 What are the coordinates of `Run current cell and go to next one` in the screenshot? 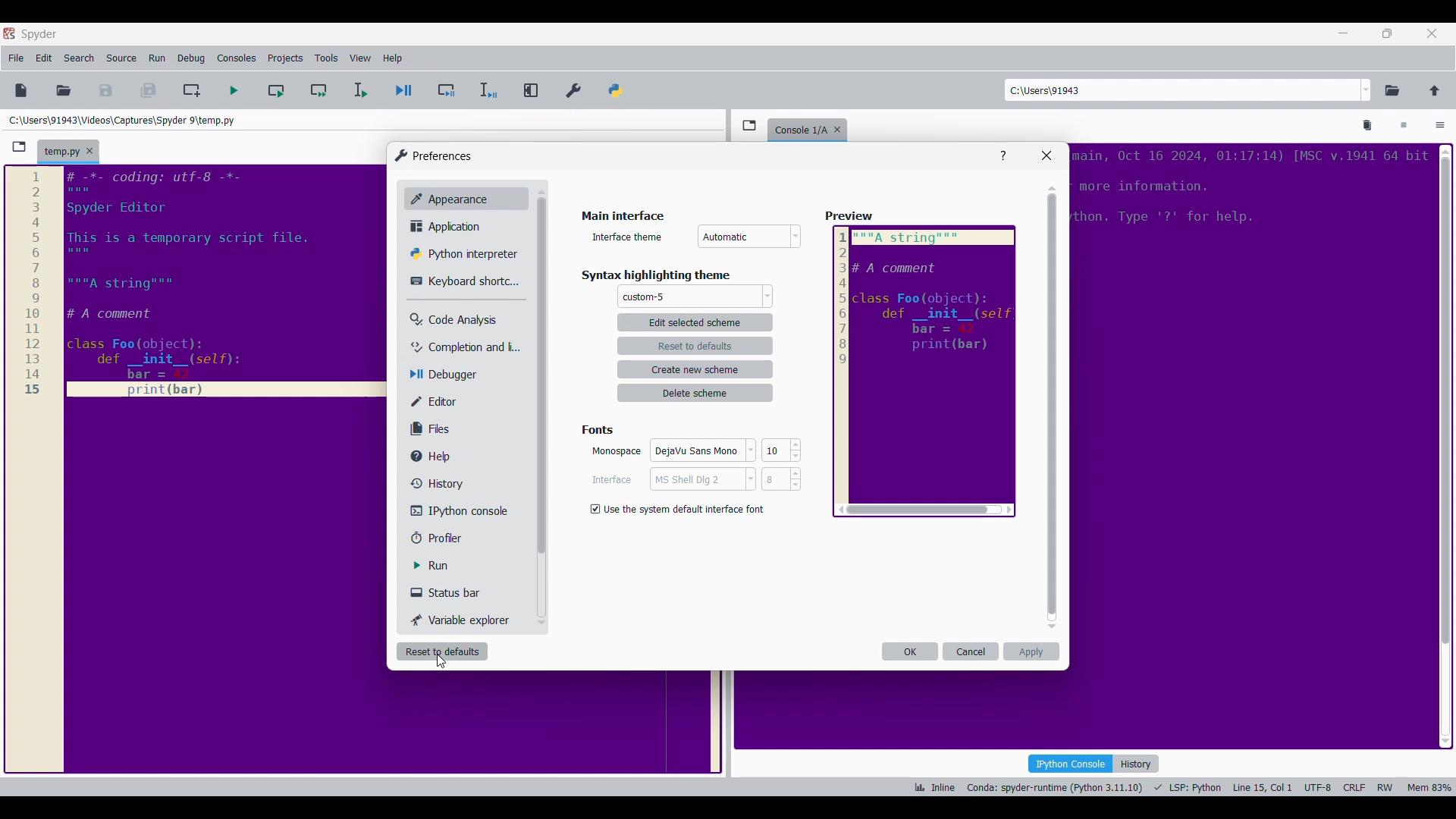 It's located at (319, 90).